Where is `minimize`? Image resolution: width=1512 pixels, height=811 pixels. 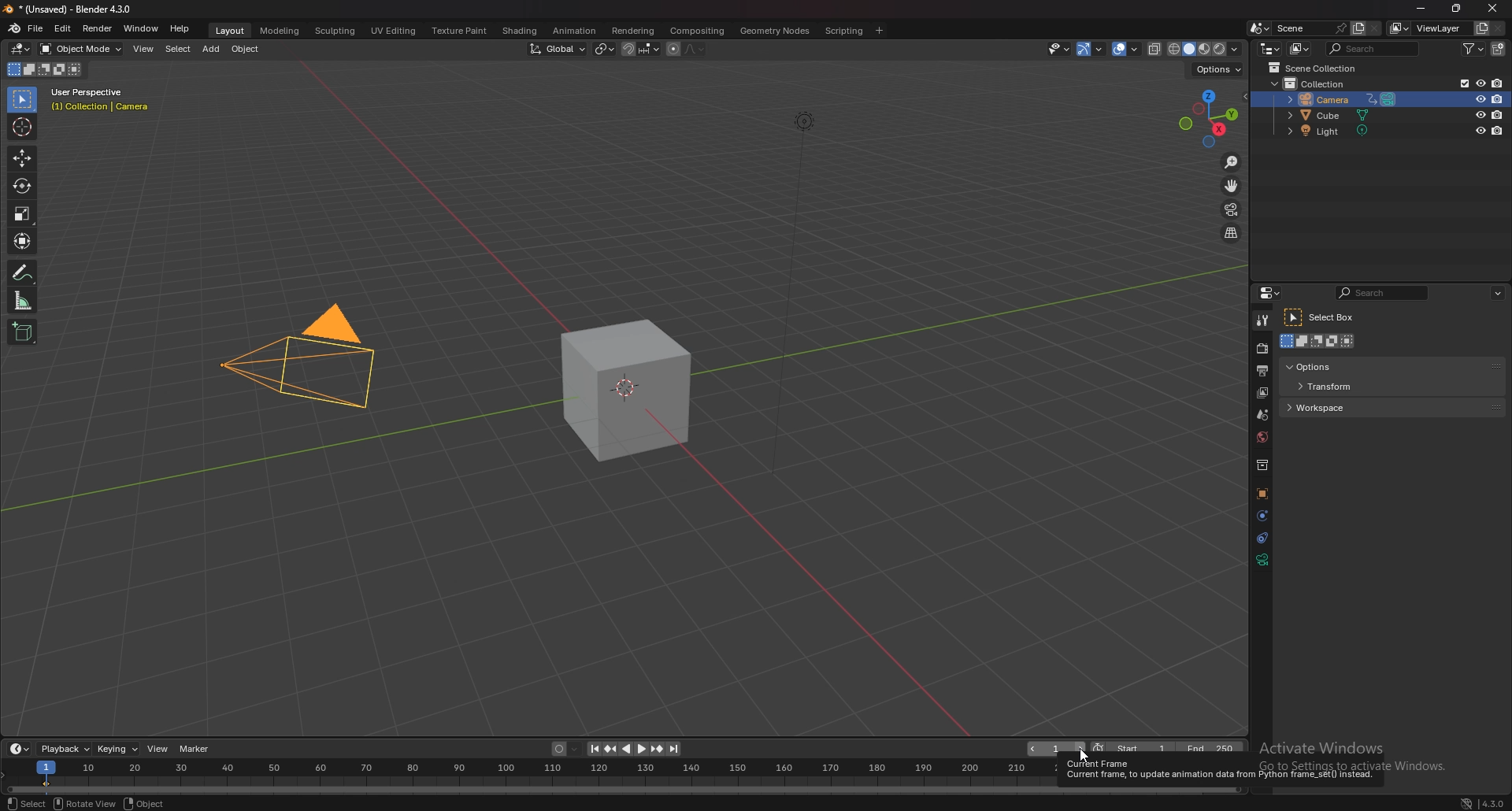
minimize is located at coordinates (1423, 9).